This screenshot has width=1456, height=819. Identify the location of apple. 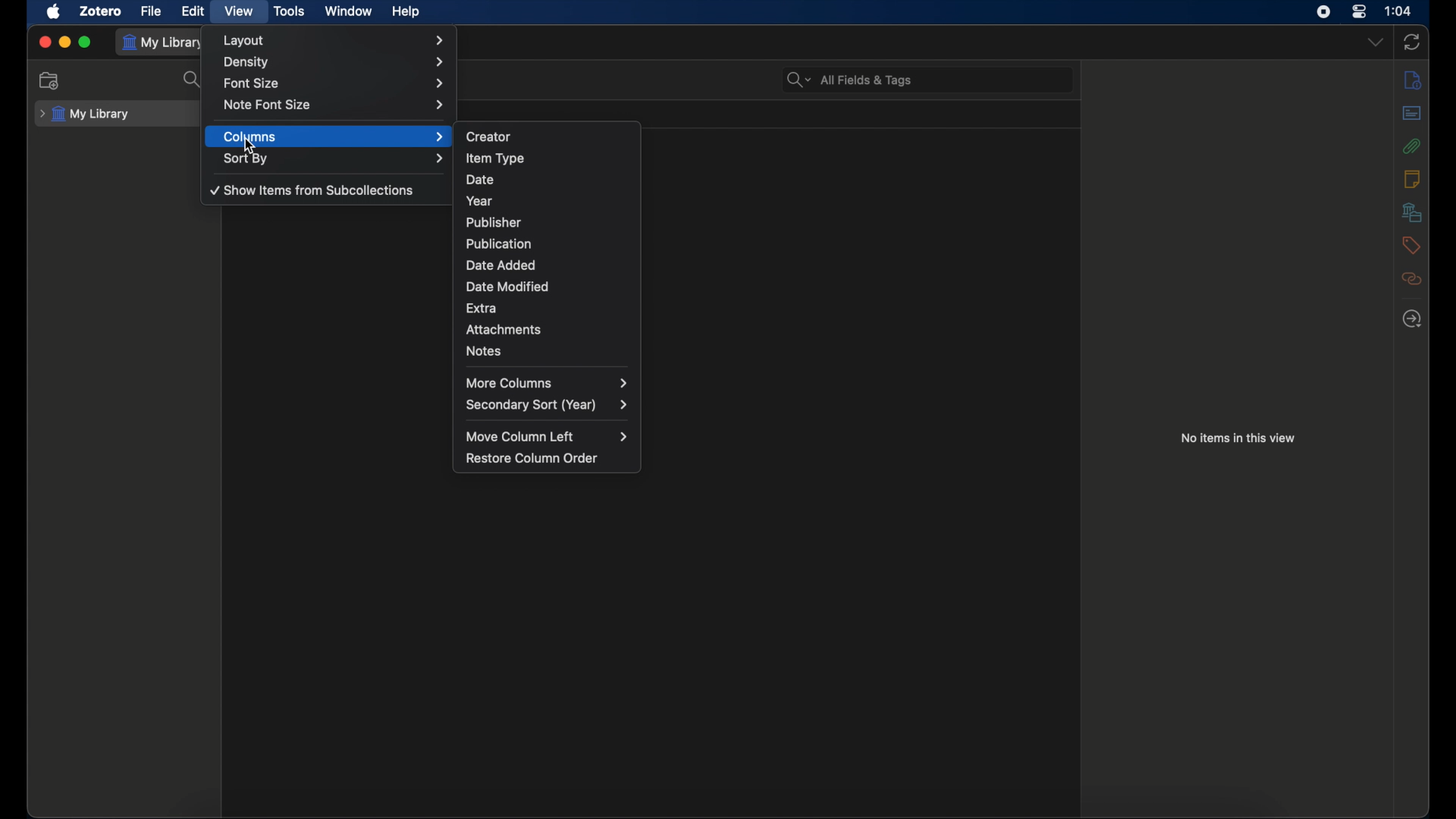
(54, 12).